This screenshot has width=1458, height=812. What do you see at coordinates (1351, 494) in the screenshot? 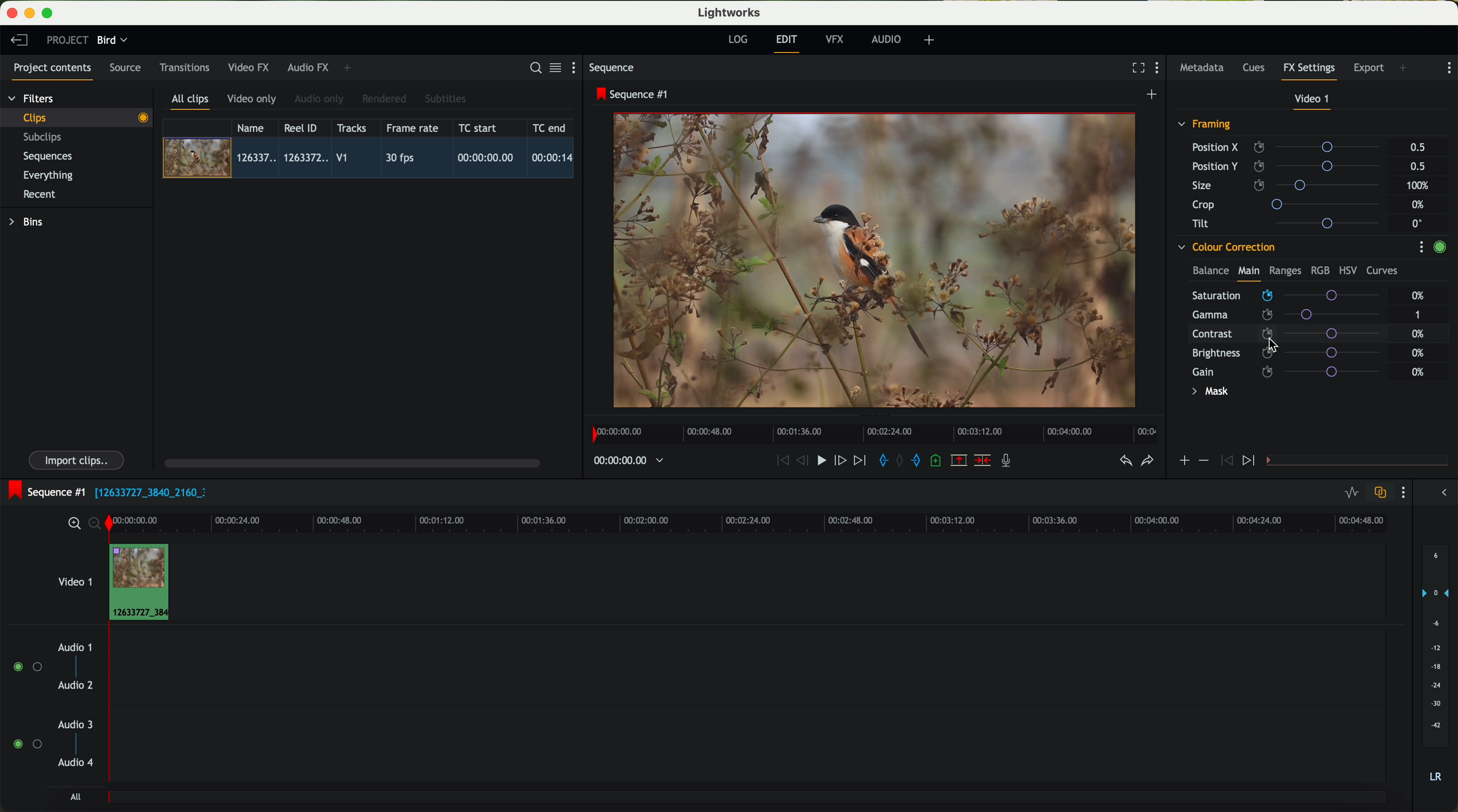
I see `toggle audio levels editing` at bounding box center [1351, 494].